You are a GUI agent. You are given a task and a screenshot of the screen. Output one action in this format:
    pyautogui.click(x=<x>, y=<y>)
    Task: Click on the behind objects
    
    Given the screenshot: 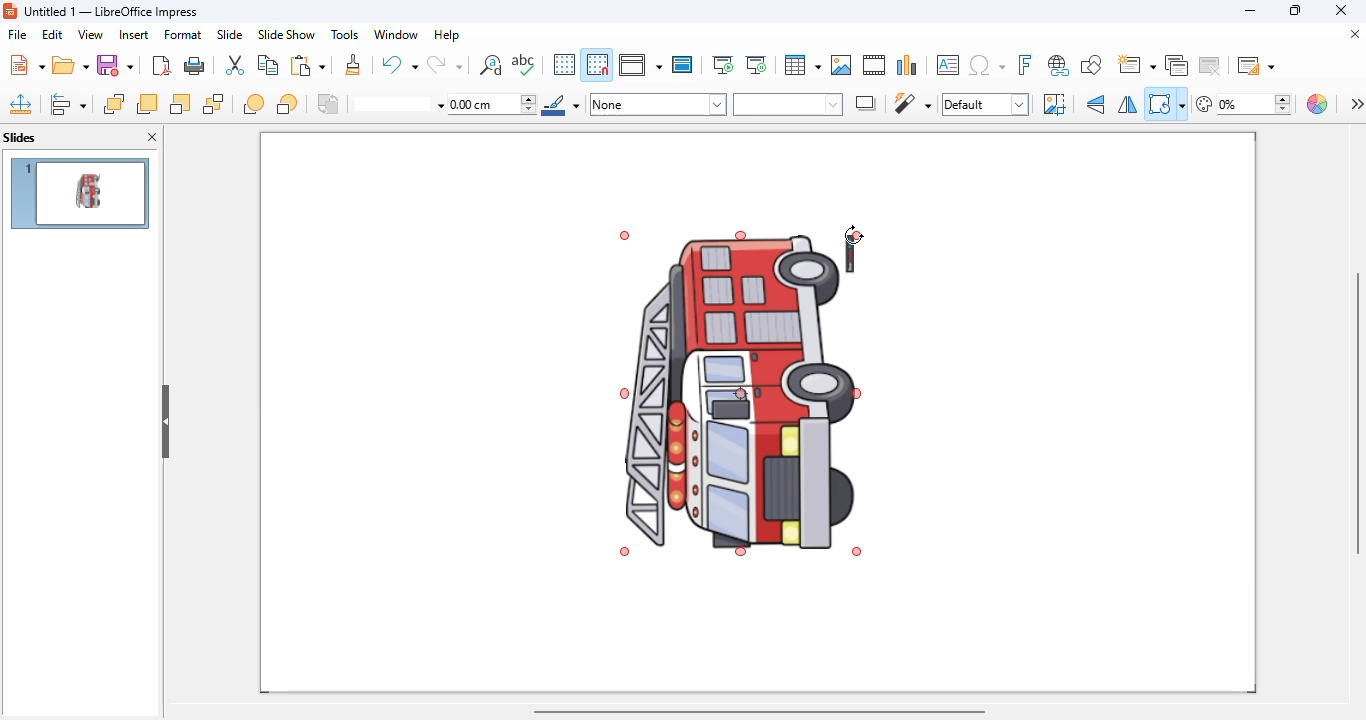 What is the action you would take?
    pyautogui.click(x=287, y=103)
    